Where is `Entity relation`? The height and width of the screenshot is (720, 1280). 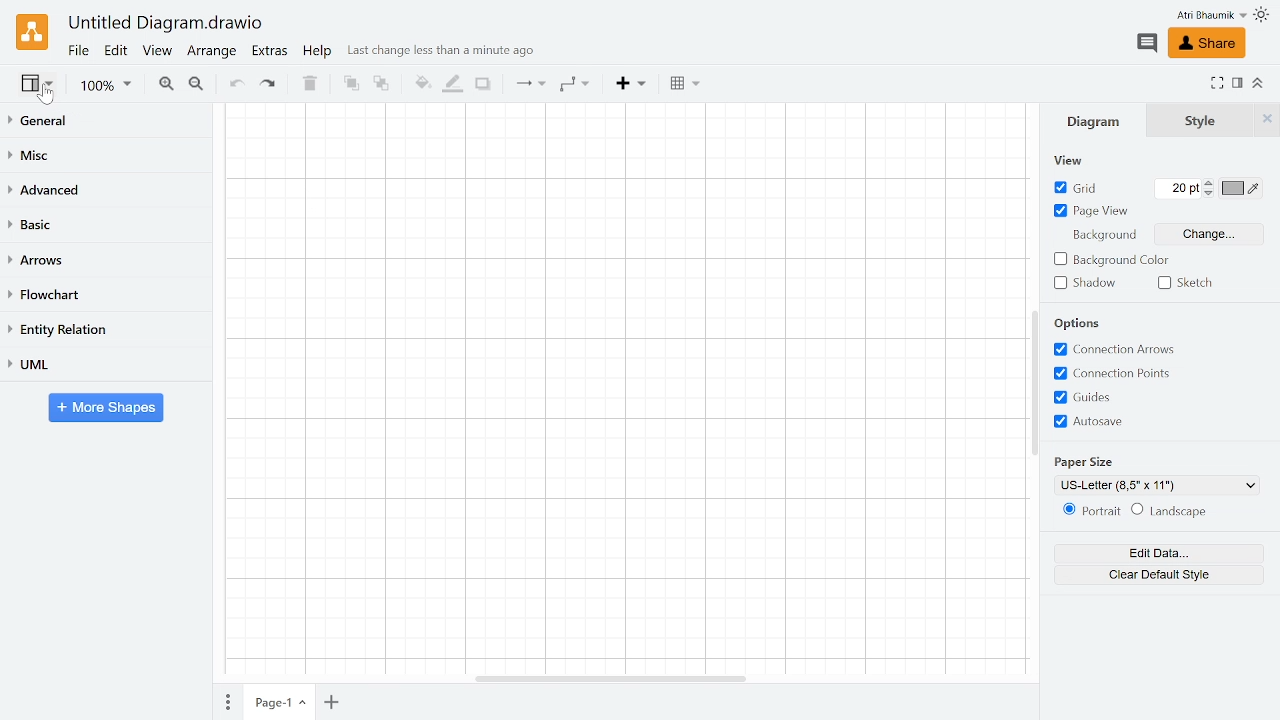 Entity relation is located at coordinates (102, 328).